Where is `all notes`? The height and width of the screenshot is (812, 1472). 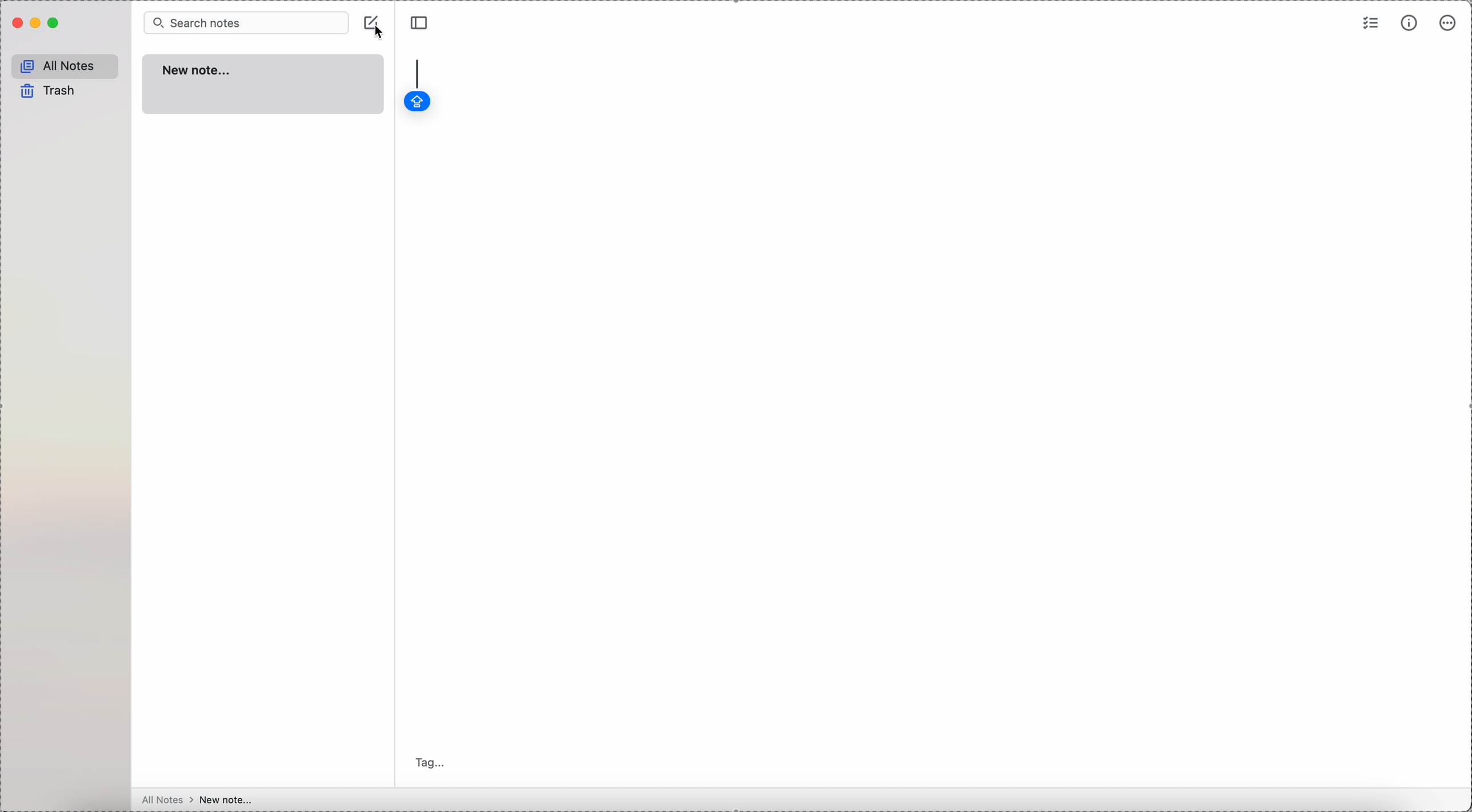
all notes is located at coordinates (67, 65).